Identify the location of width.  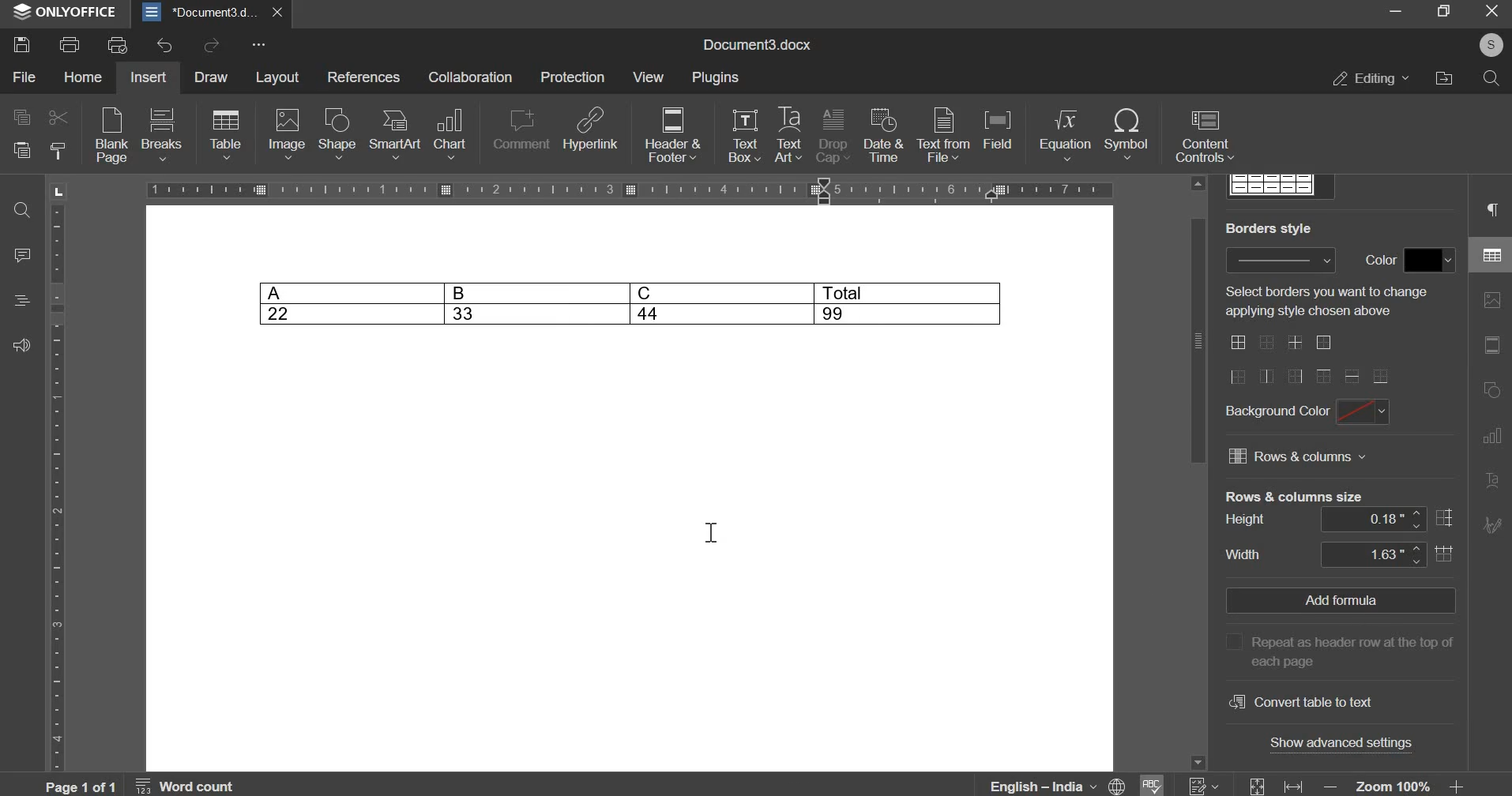
(1387, 554).